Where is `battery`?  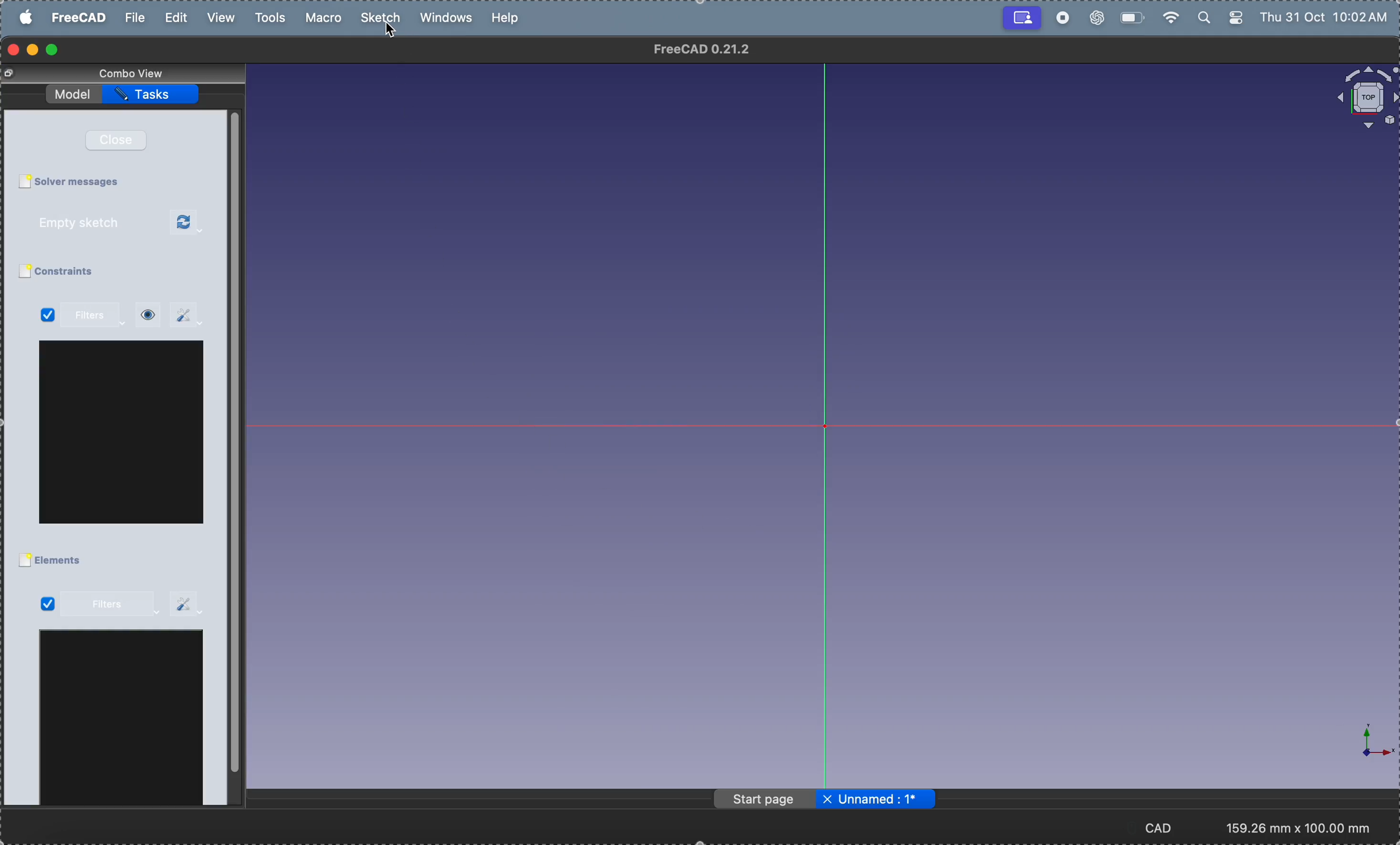
battery is located at coordinates (1130, 16).